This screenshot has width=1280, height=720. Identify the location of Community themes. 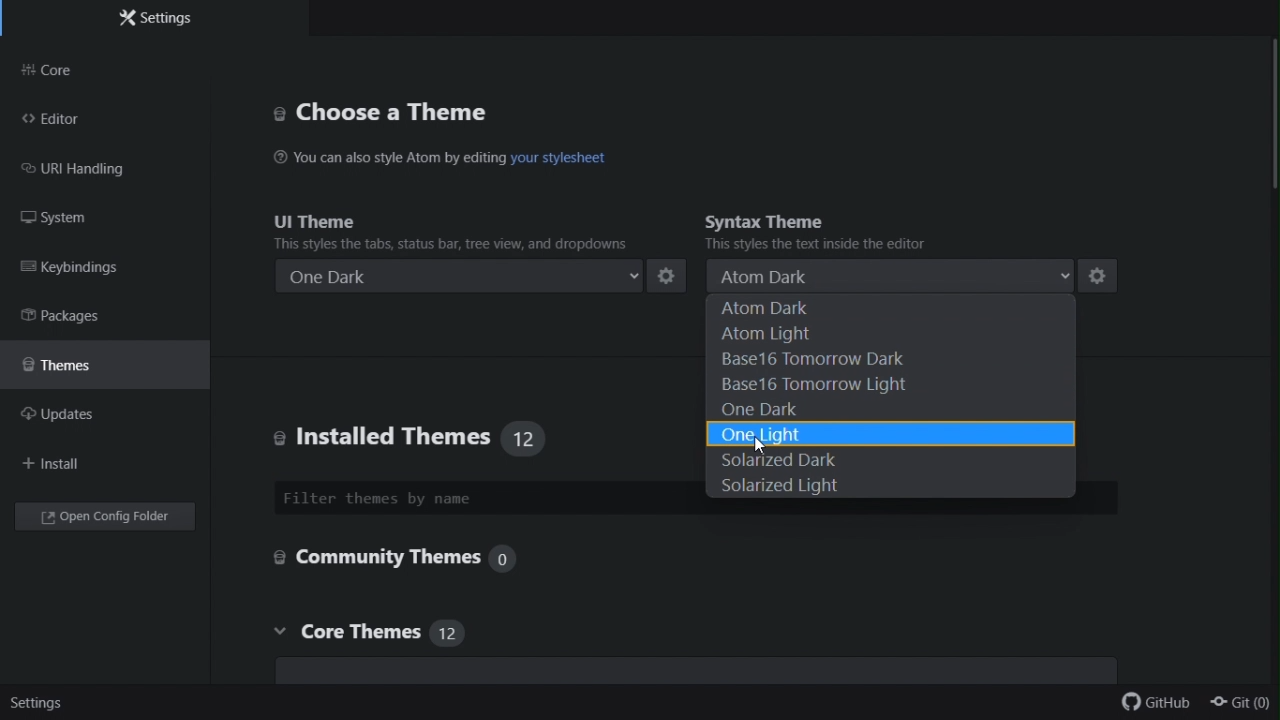
(454, 559).